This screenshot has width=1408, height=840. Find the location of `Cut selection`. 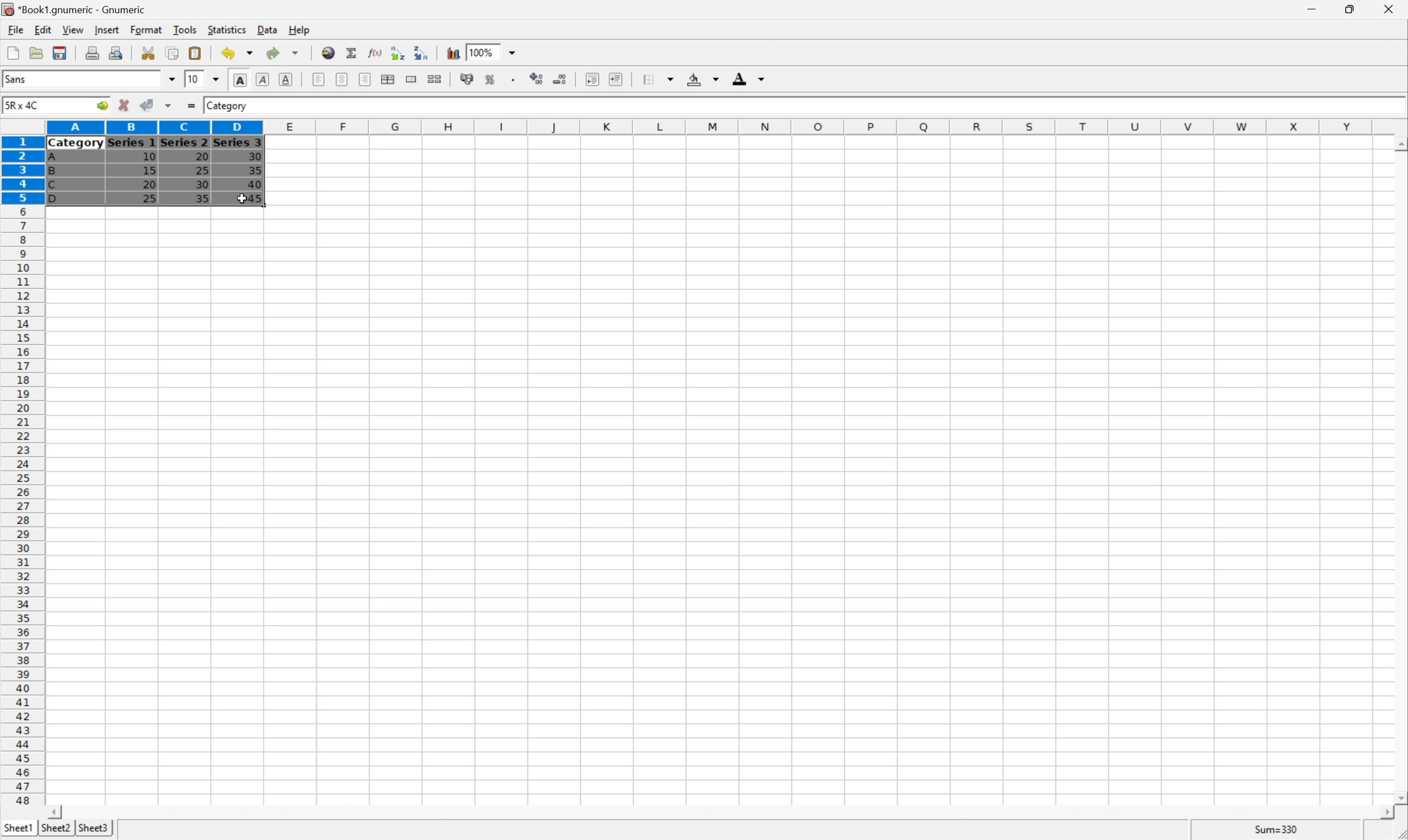

Cut selection is located at coordinates (149, 53).